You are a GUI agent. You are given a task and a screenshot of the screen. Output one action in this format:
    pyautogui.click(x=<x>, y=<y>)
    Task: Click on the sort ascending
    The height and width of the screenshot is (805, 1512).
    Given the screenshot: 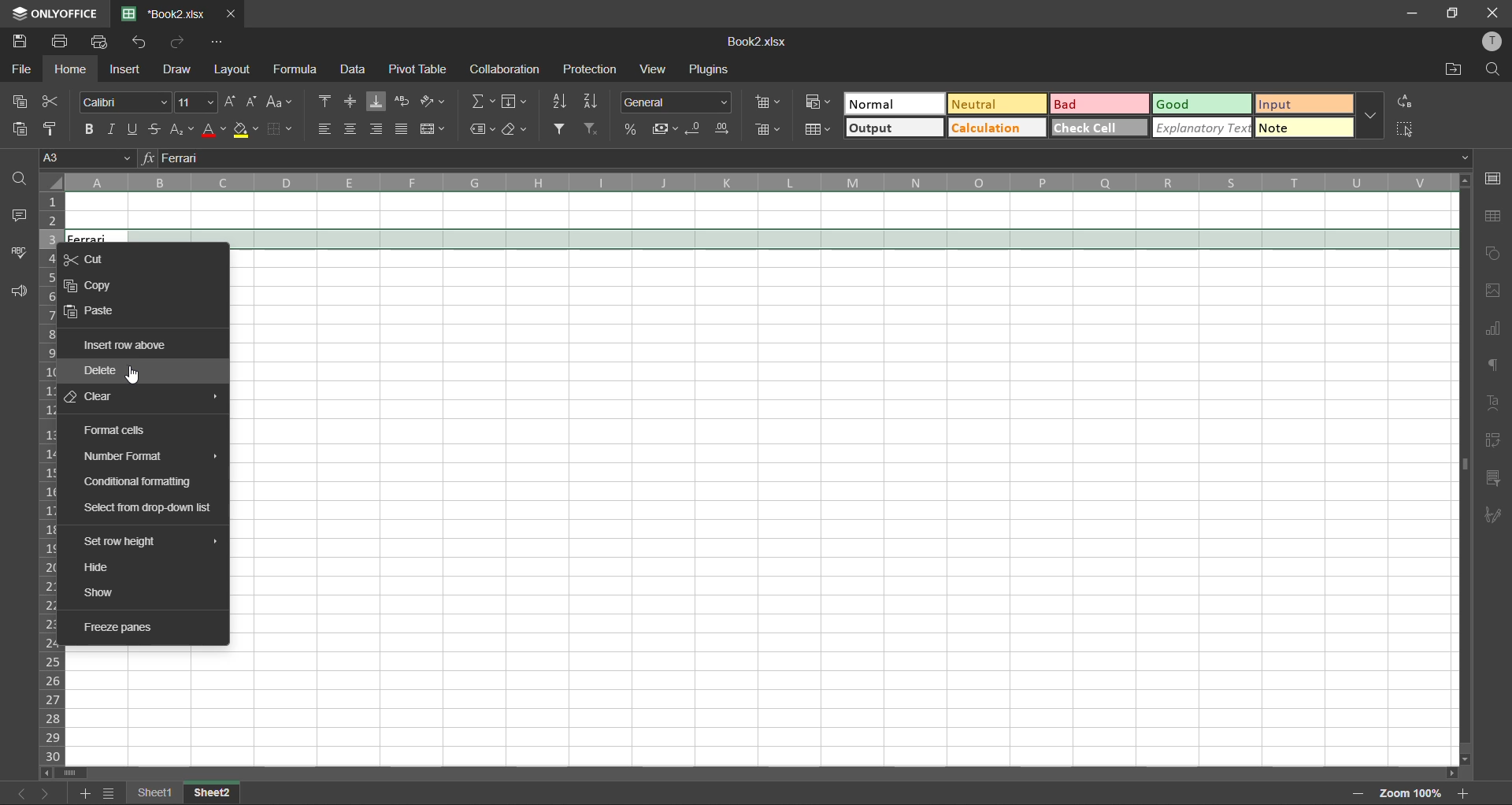 What is the action you would take?
    pyautogui.click(x=562, y=101)
    